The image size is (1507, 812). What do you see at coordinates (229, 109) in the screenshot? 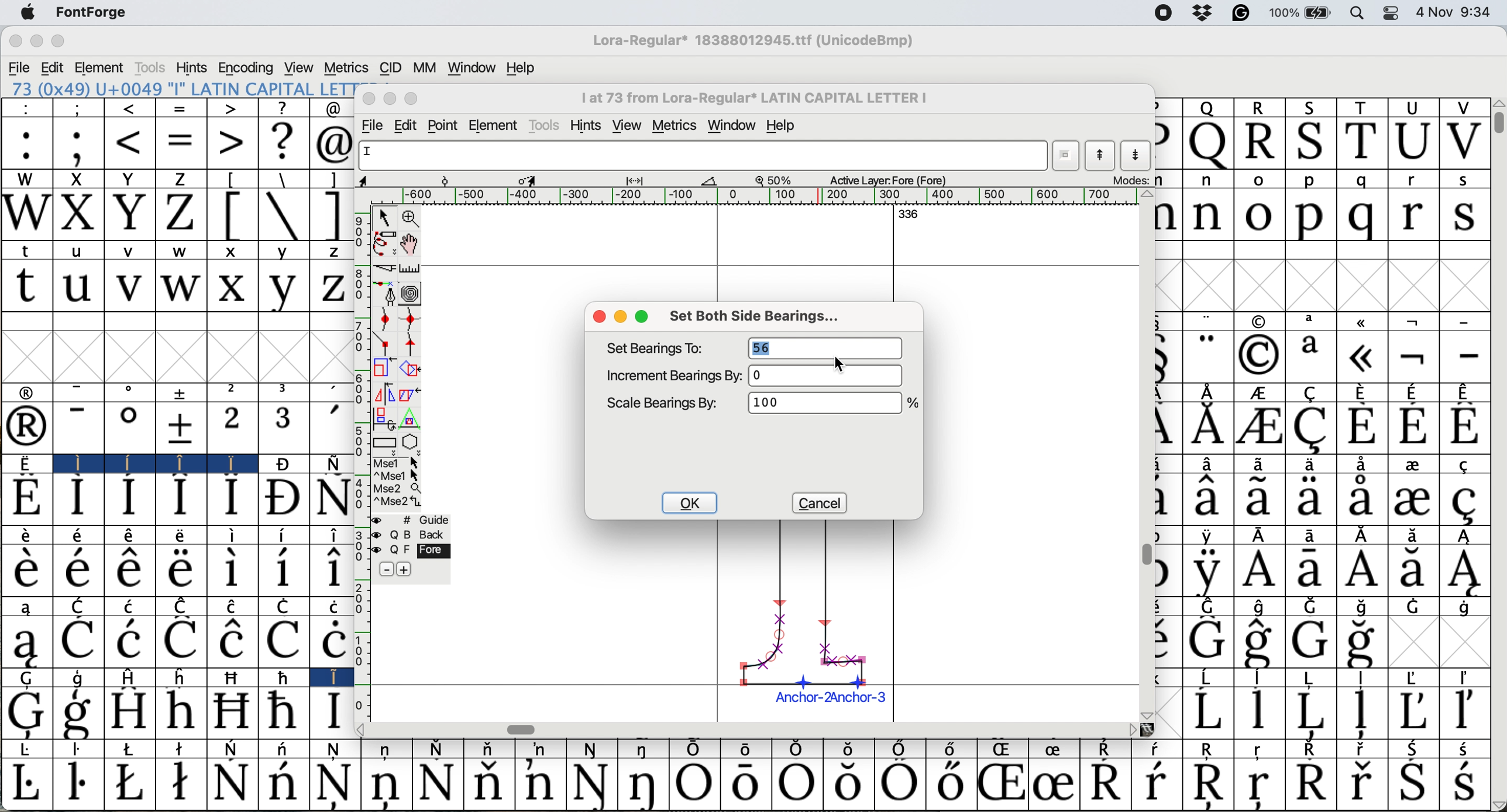
I see `>` at bounding box center [229, 109].